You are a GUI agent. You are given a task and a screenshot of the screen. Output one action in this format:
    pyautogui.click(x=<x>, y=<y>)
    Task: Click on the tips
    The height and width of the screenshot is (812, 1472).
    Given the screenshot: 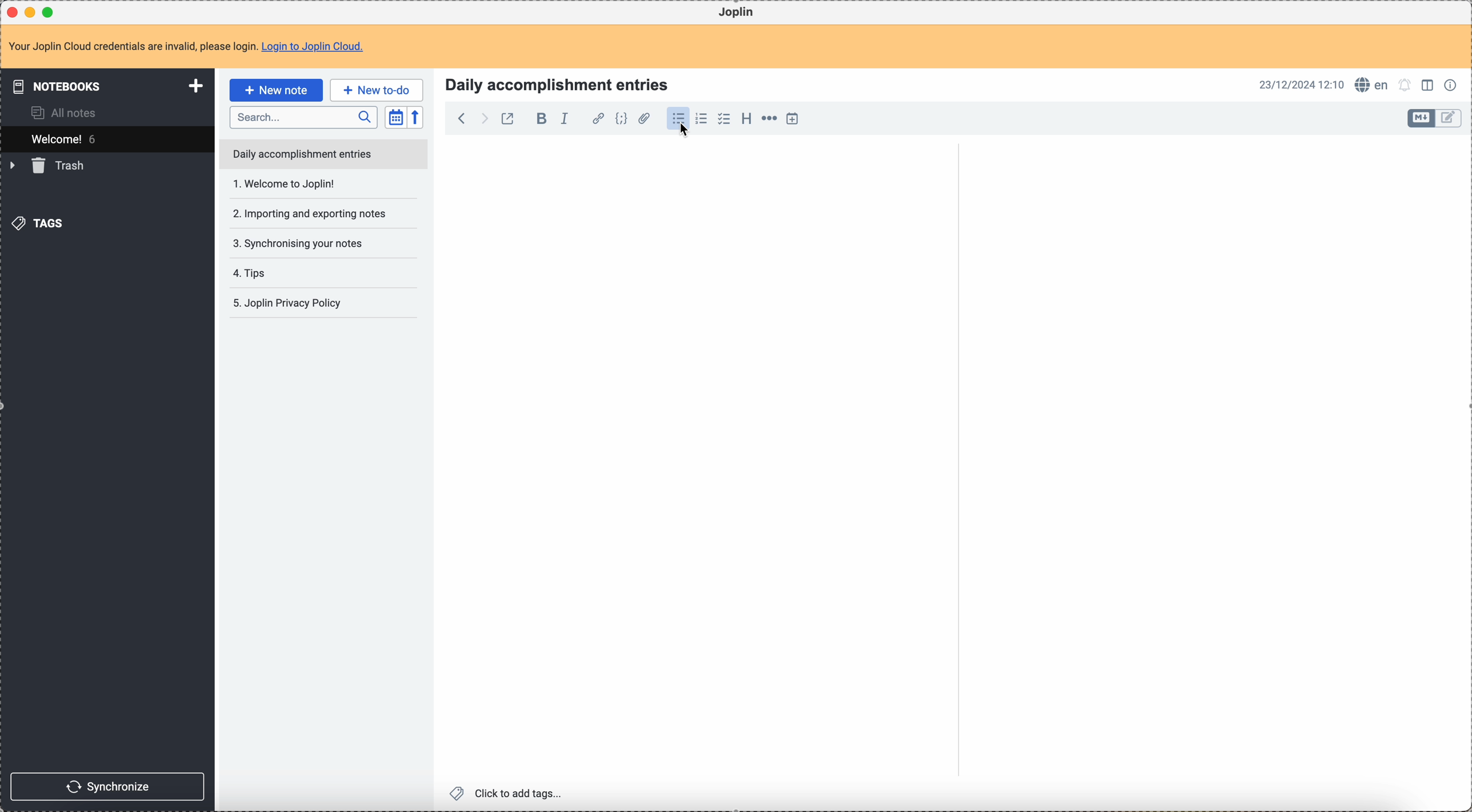 What is the action you would take?
    pyautogui.click(x=309, y=245)
    